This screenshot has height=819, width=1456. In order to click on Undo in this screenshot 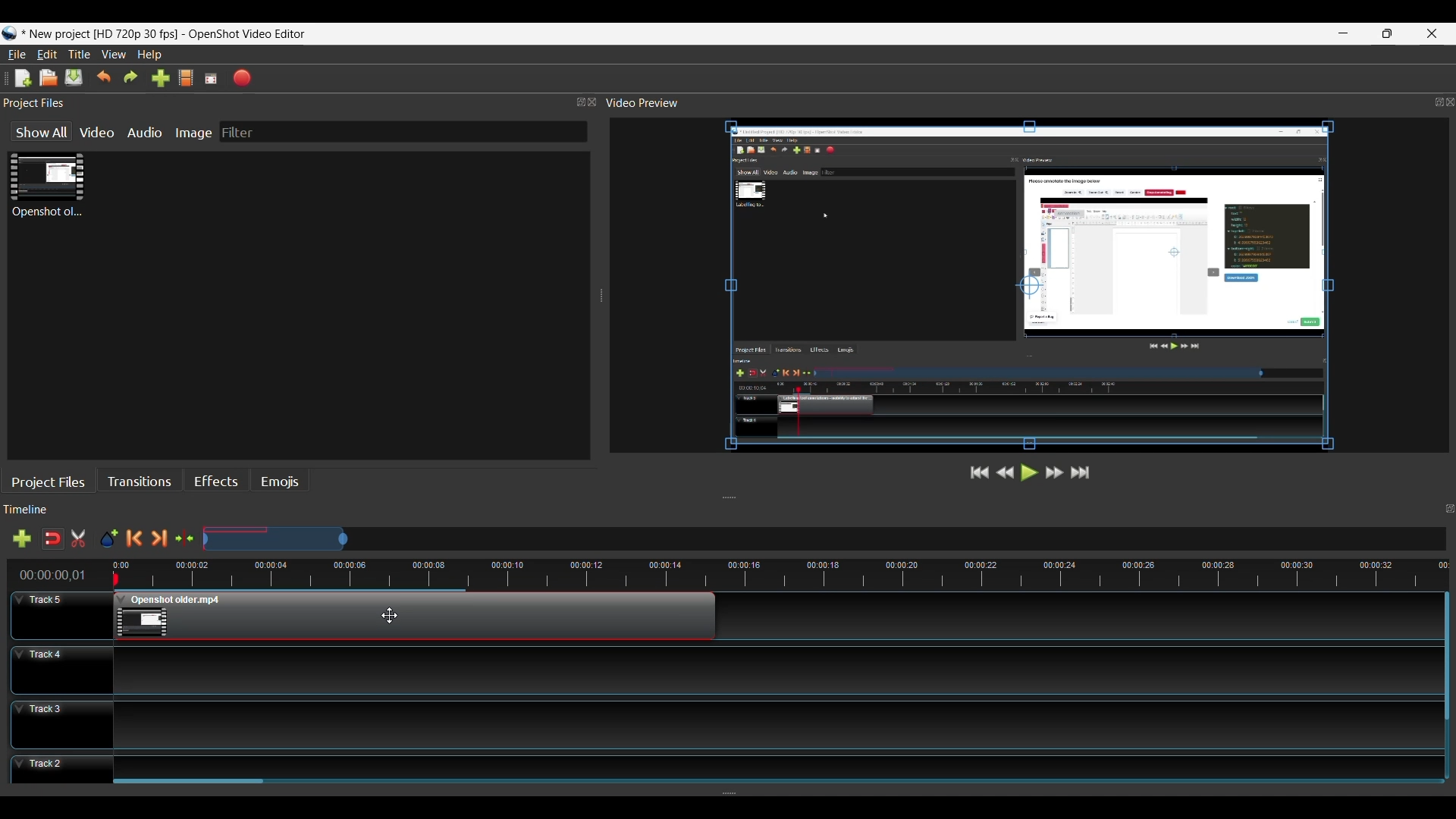, I will do `click(104, 78)`.